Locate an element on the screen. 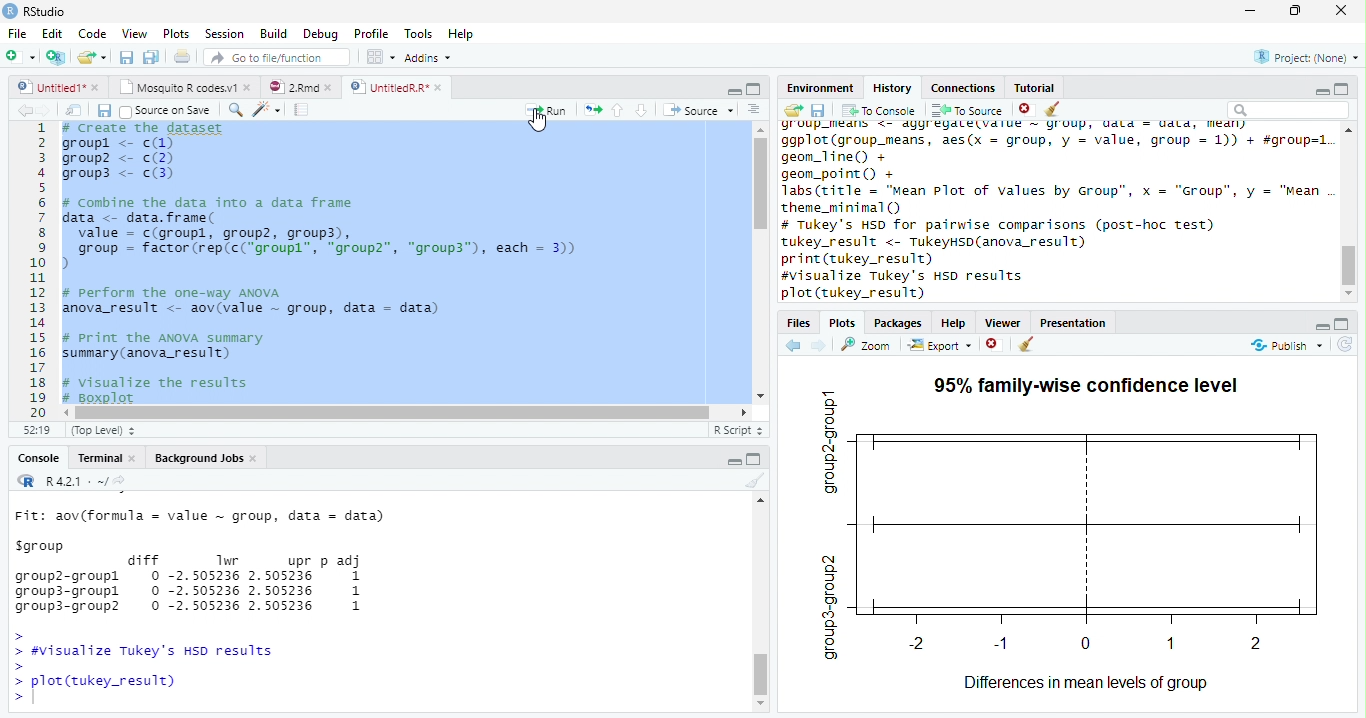 This screenshot has width=1366, height=718. Zoom In is located at coordinates (234, 111).